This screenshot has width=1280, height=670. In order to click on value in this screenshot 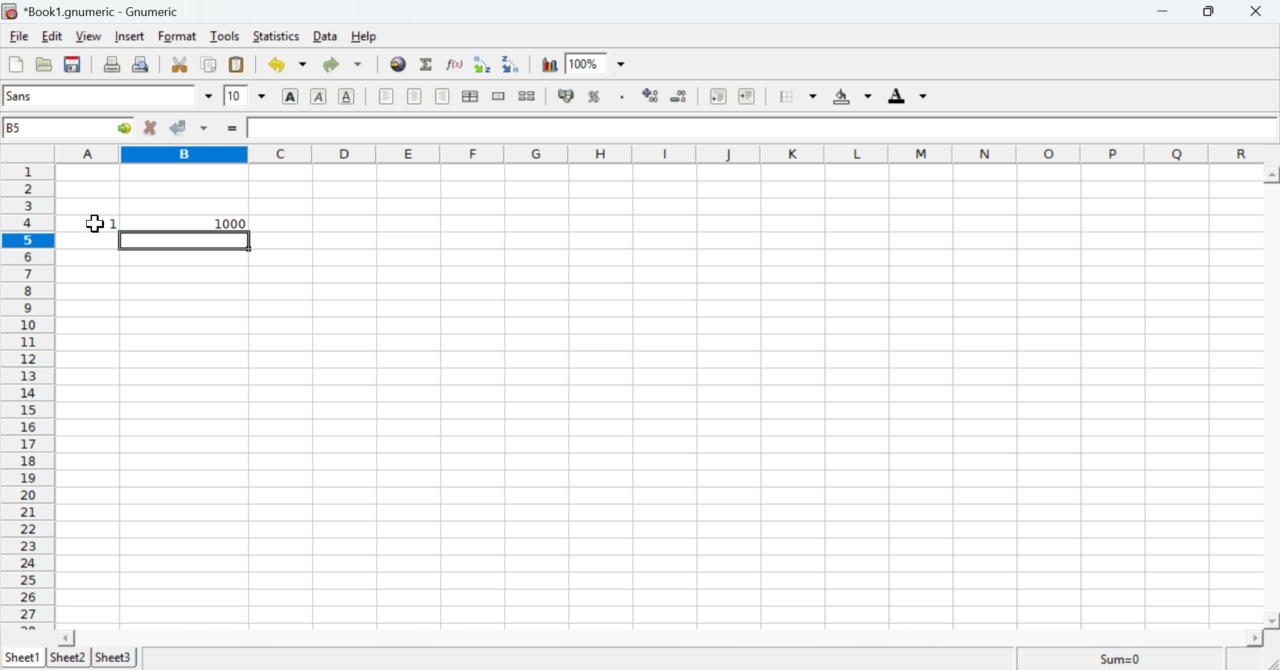, I will do `click(88, 223)`.